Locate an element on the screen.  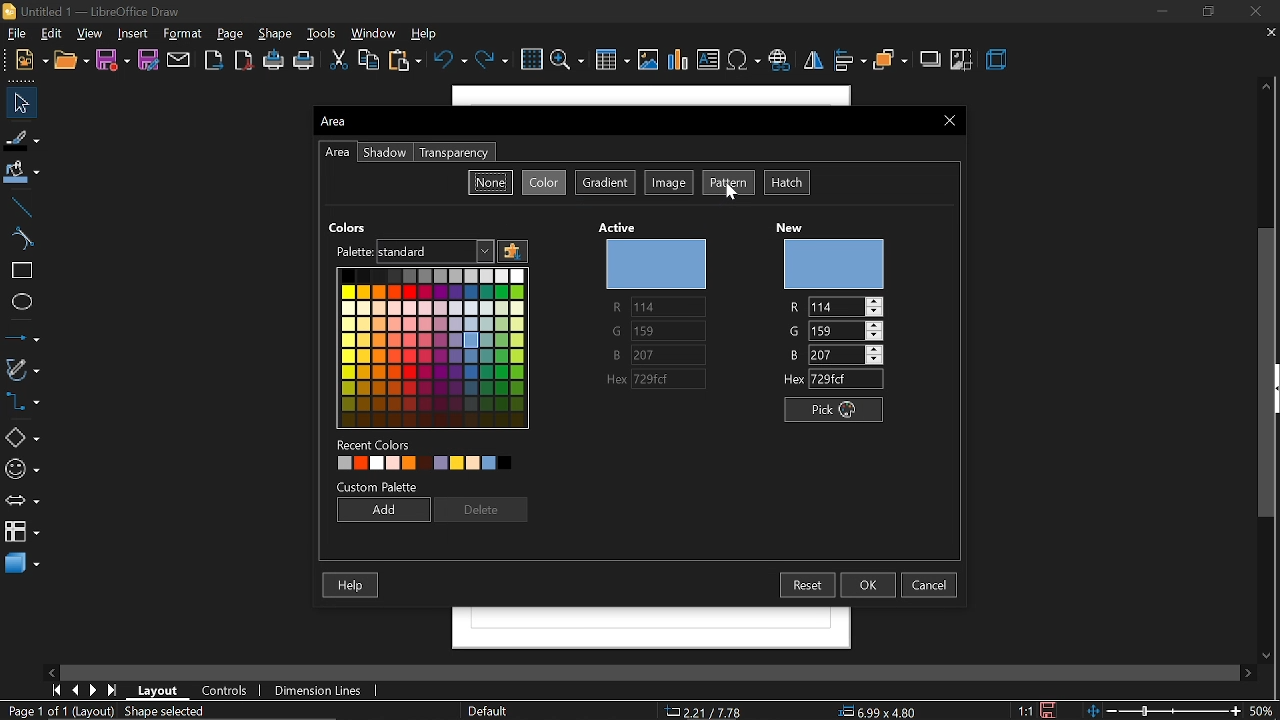
G is located at coordinates (791, 331).